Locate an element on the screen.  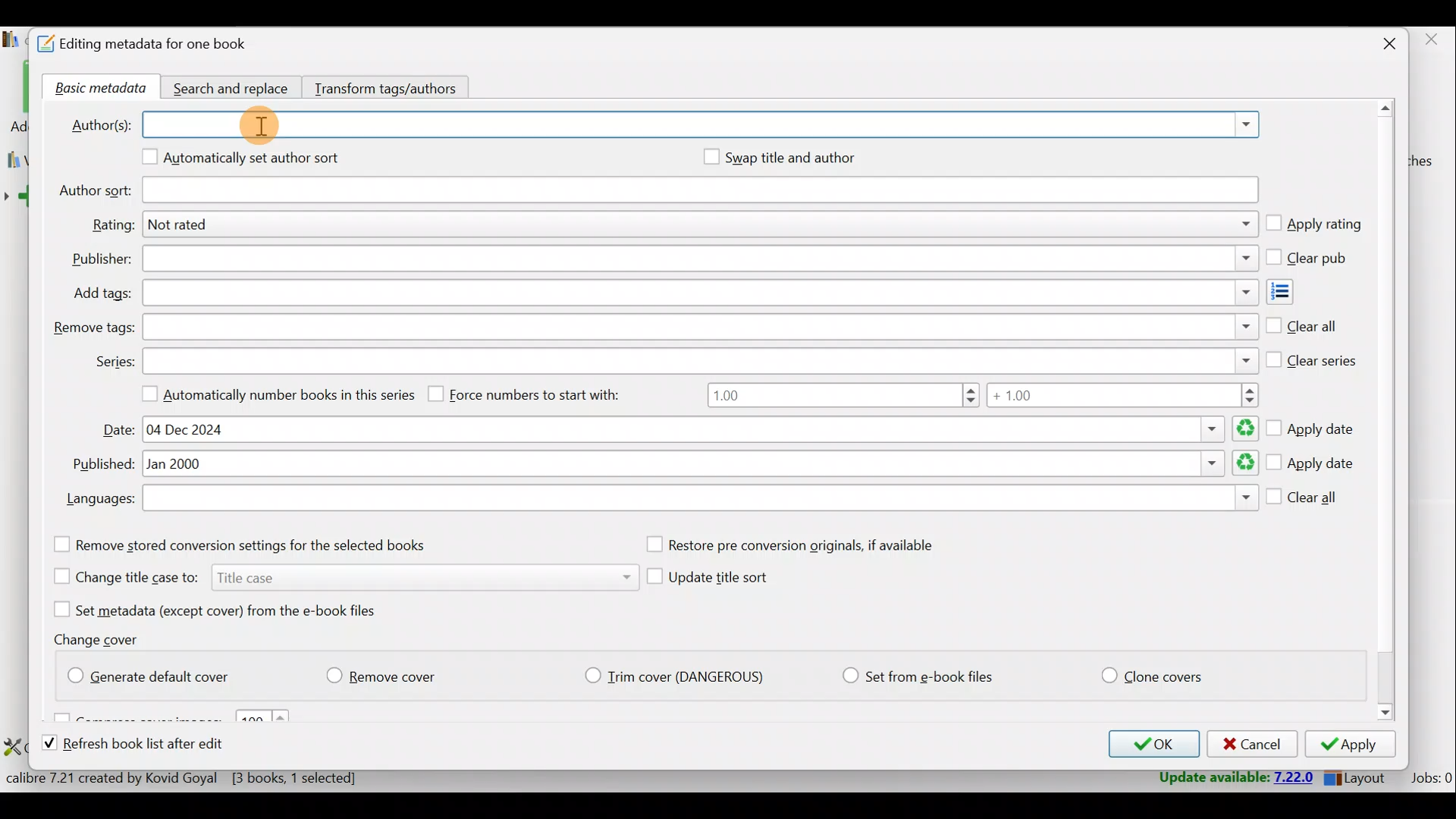
Authors is located at coordinates (698, 126).